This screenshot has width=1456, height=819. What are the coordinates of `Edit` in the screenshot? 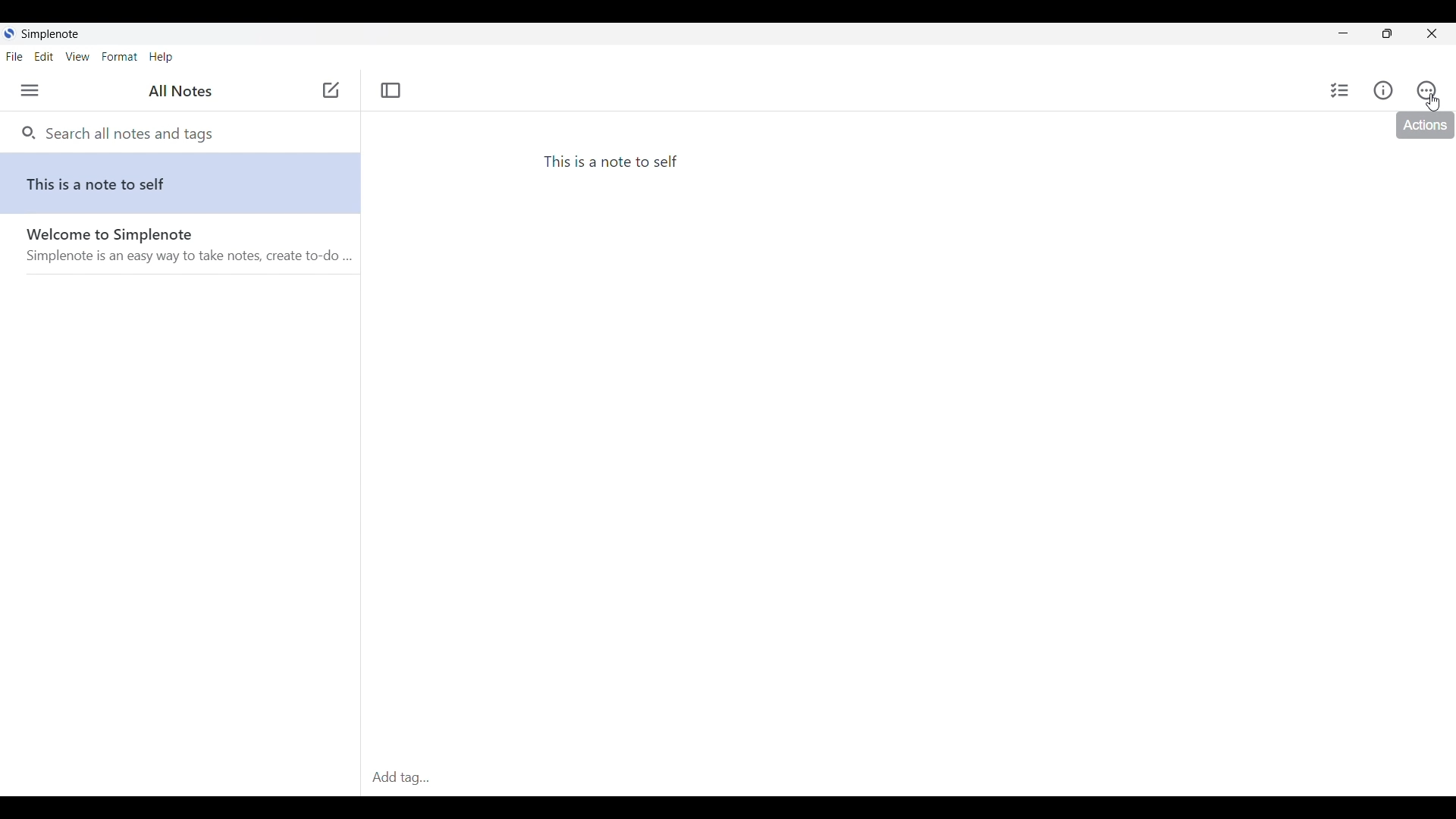 It's located at (43, 56).